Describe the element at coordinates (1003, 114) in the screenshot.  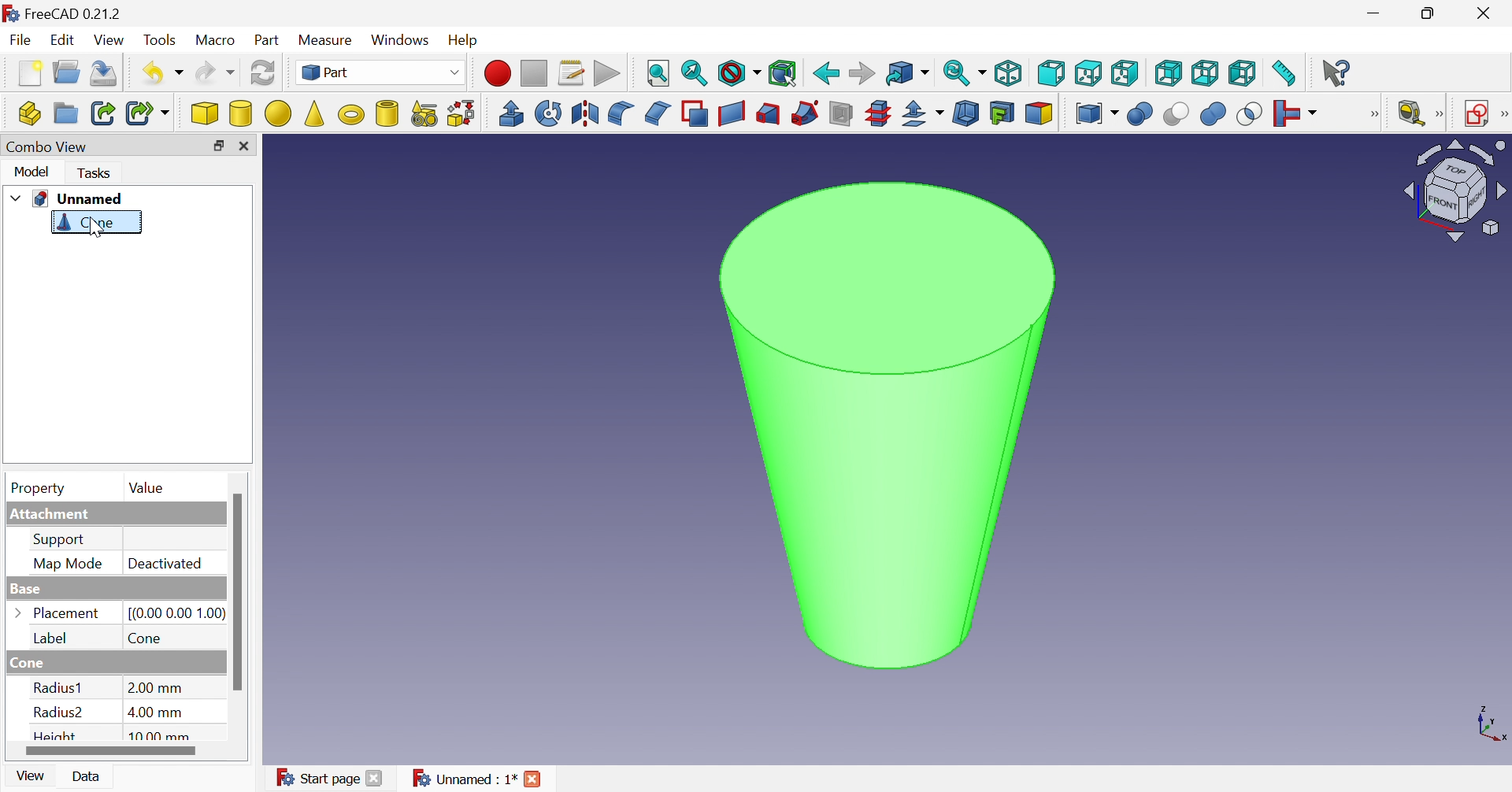
I see `Create projection on surface` at that location.